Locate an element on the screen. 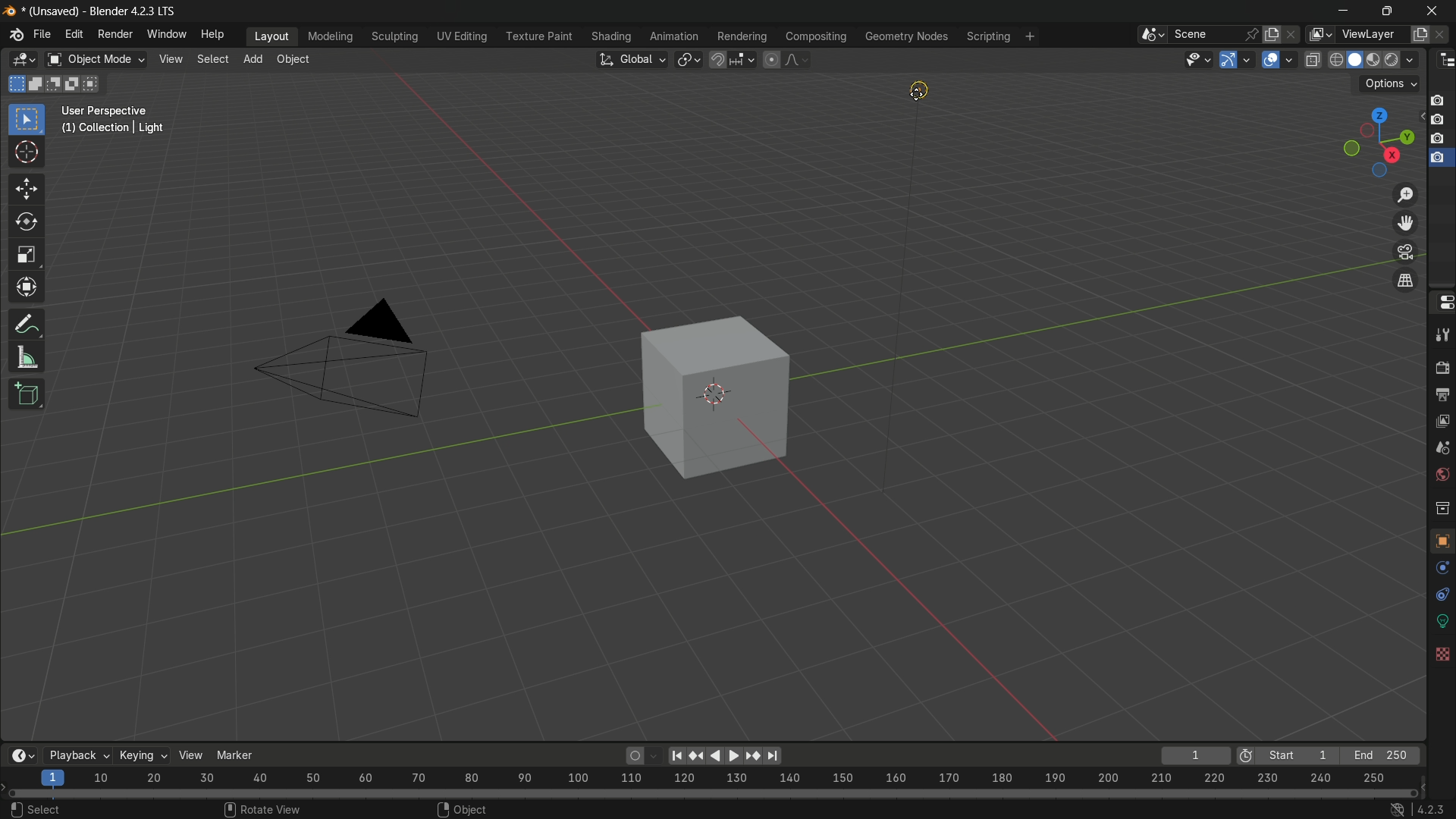 This screenshot has height=819, width=1456. toggle the camera view is located at coordinates (1404, 252).